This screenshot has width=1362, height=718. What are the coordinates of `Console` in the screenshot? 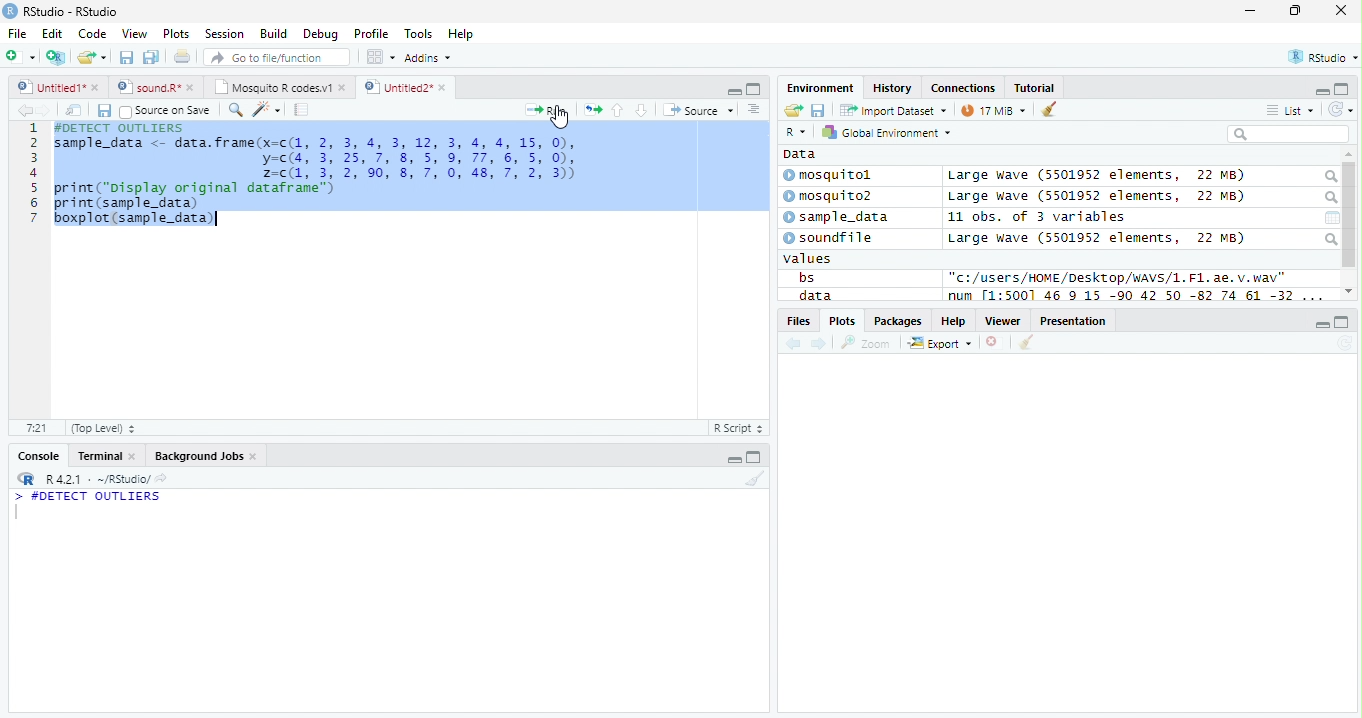 It's located at (35, 455).